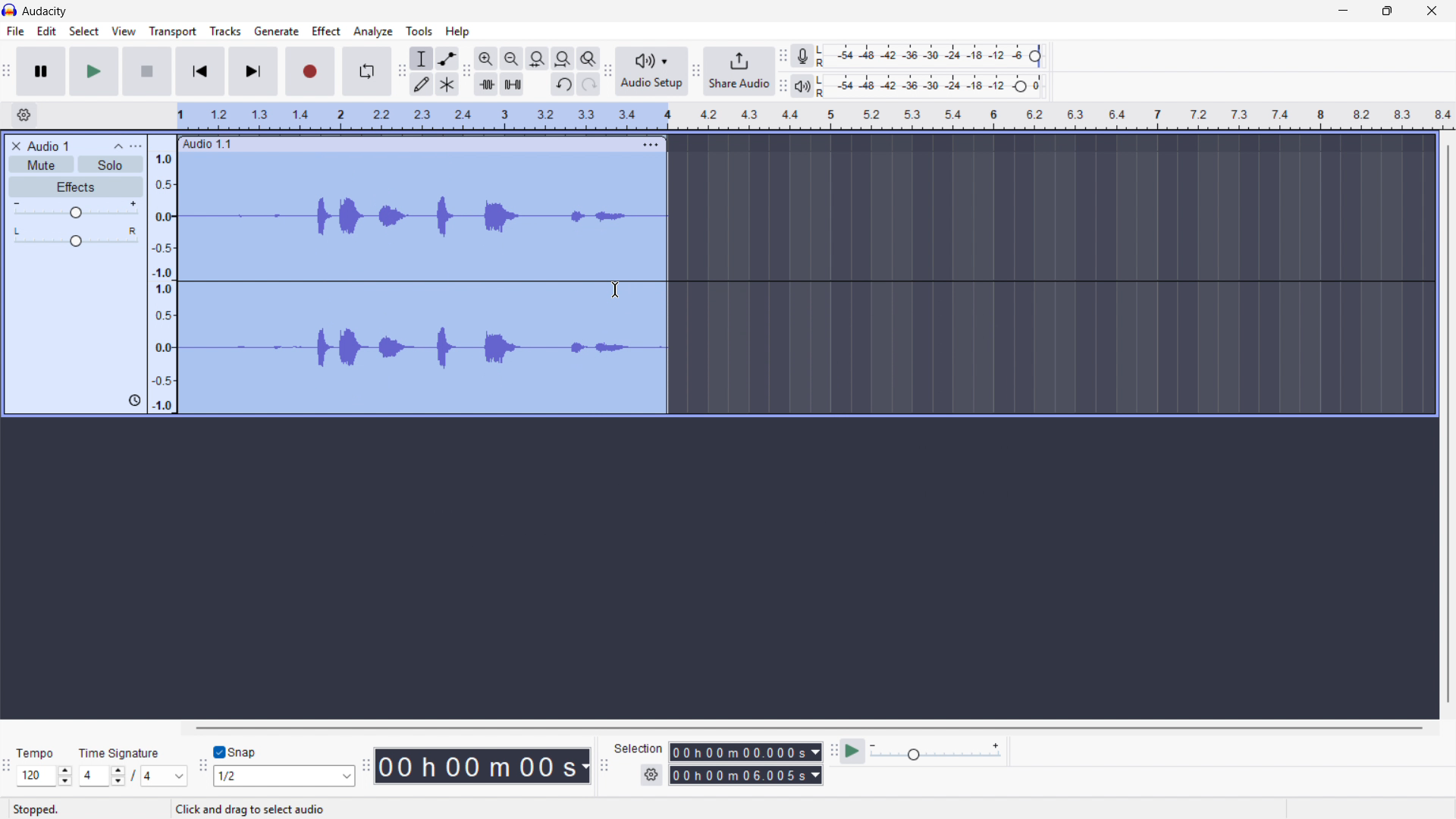  I want to click on Play at speed, so click(853, 752).